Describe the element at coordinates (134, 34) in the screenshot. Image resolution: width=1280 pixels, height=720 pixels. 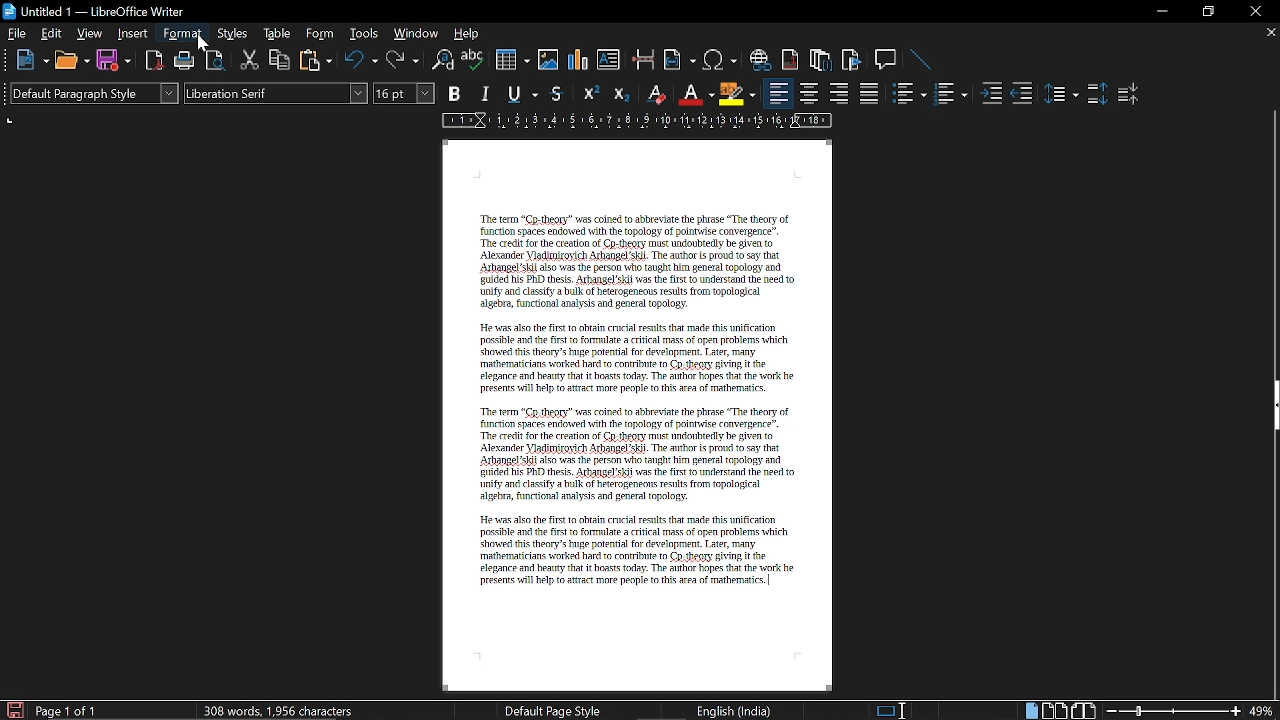
I see `Insert` at that location.